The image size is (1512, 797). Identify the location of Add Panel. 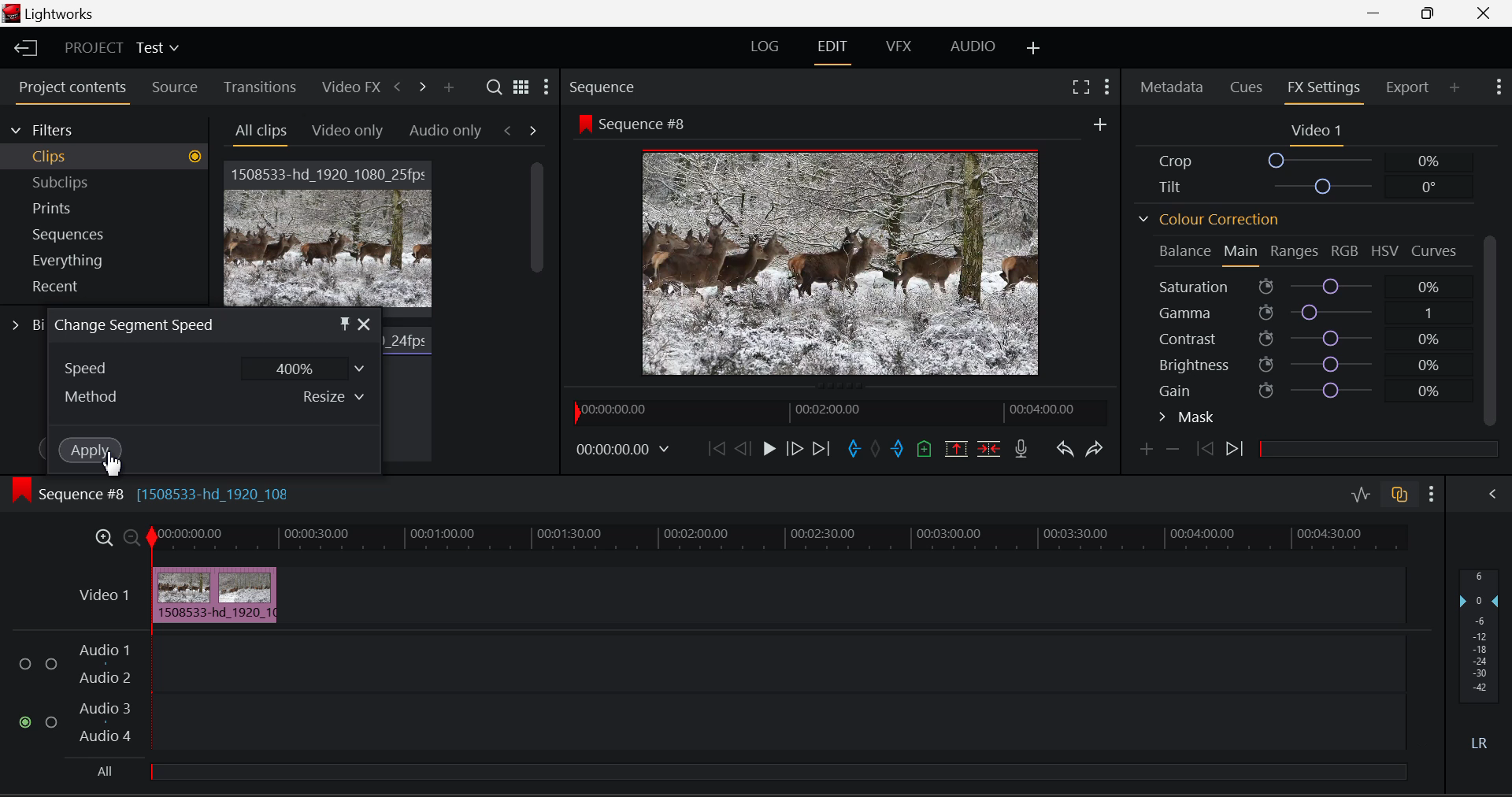
(1456, 89).